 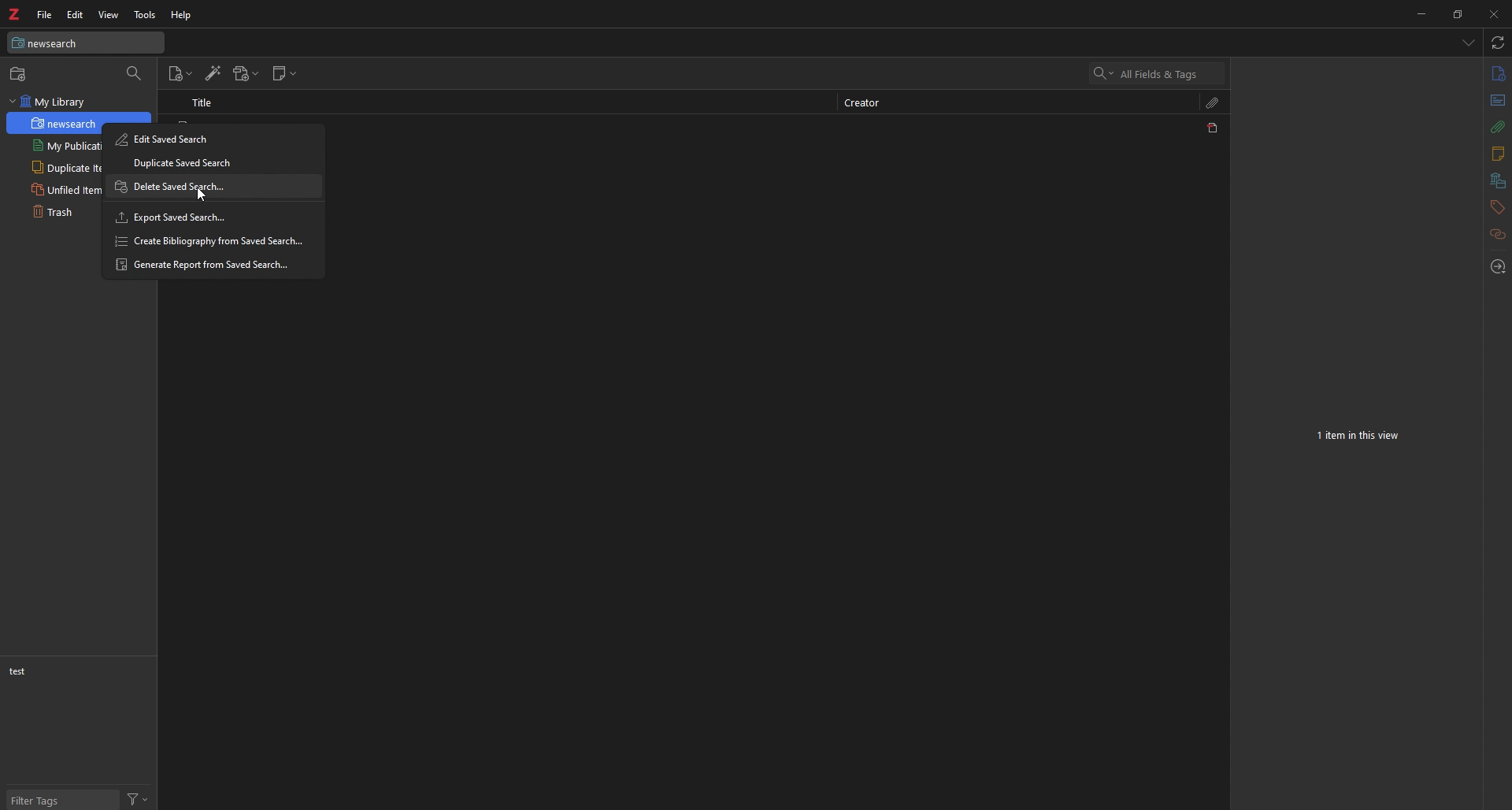 I want to click on test, so click(x=59, y=673).